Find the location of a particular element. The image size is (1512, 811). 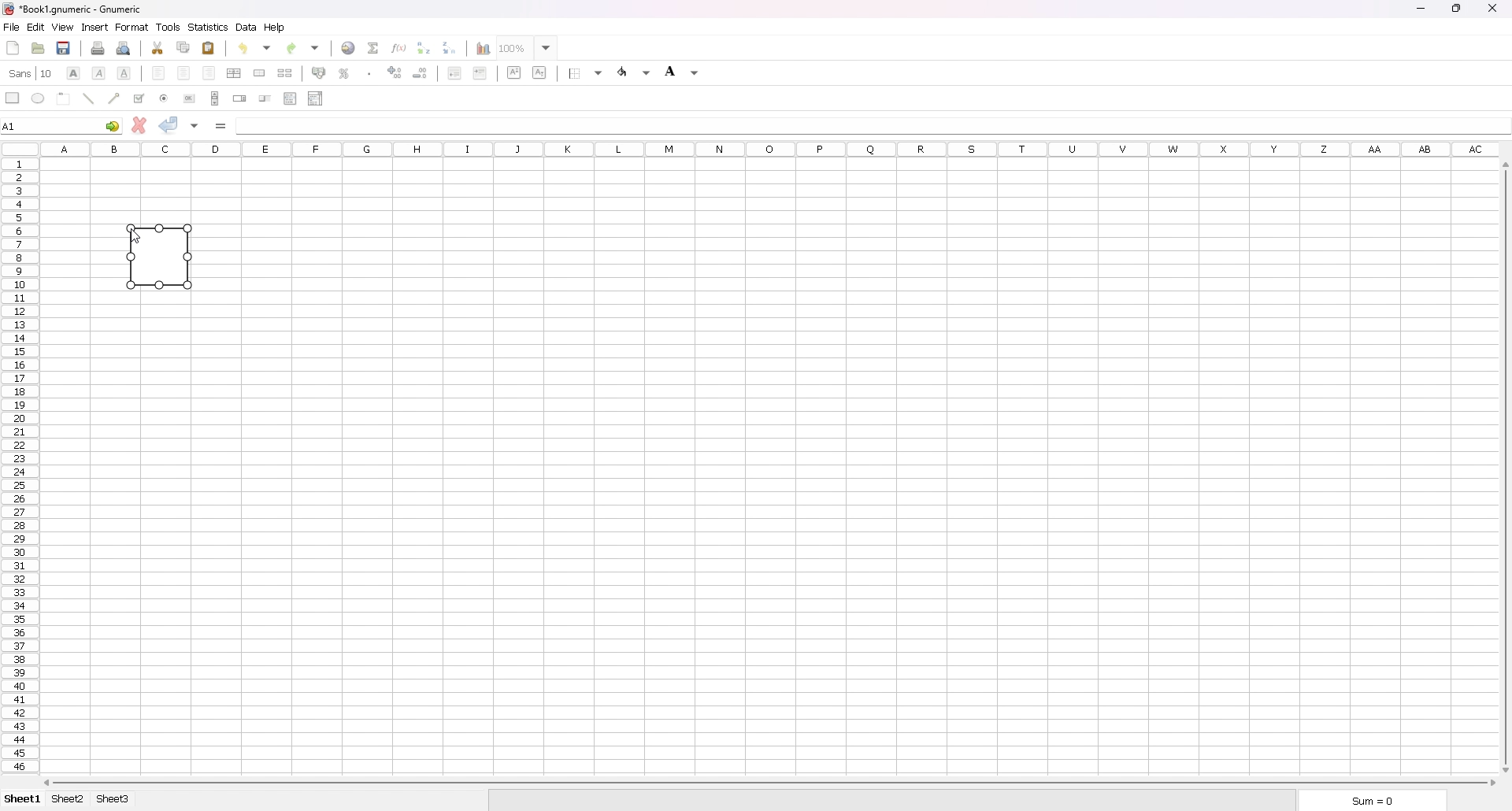

cursor is located at coordinates (134, 236).